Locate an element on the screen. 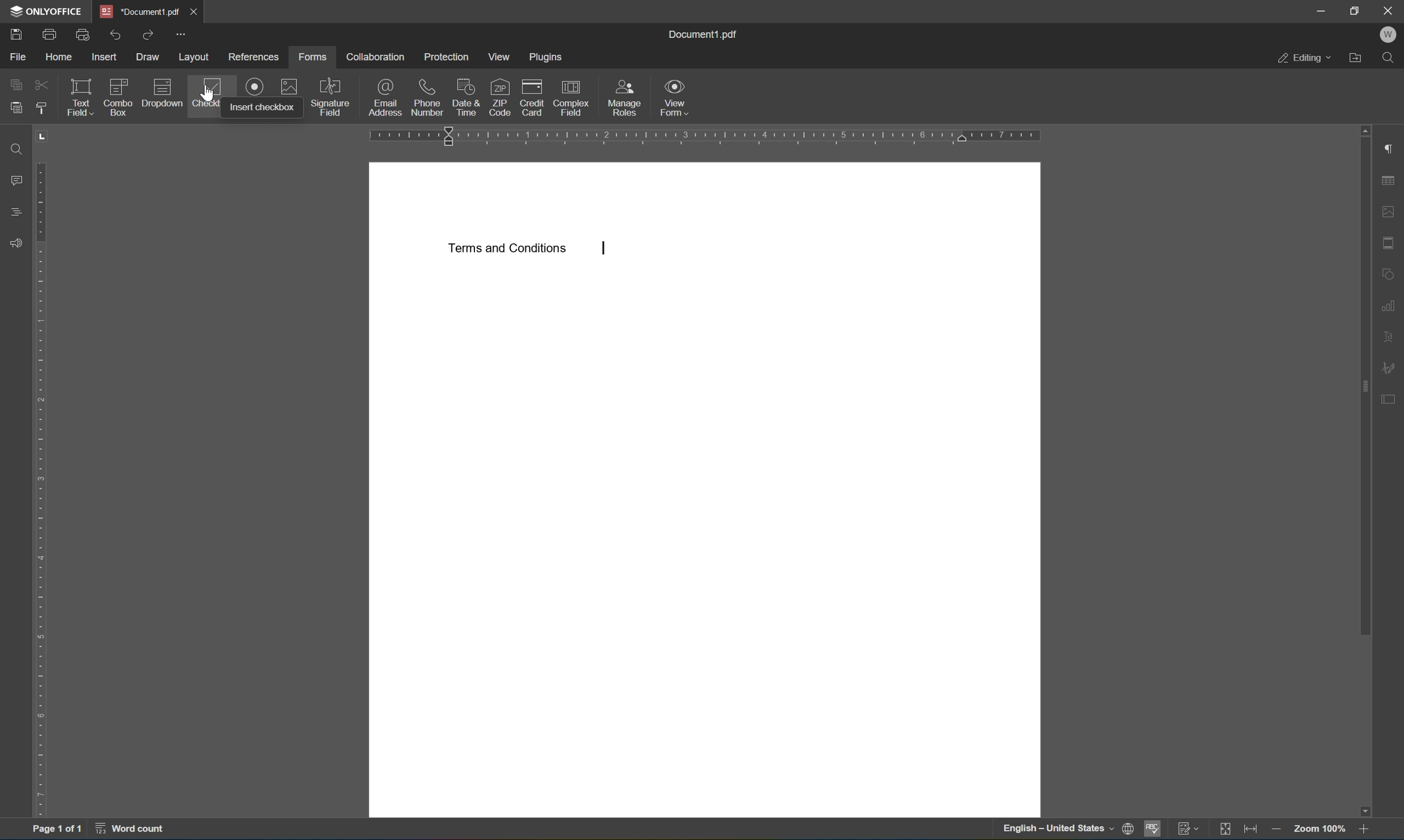  complex field is located at coordinates (571, 96).